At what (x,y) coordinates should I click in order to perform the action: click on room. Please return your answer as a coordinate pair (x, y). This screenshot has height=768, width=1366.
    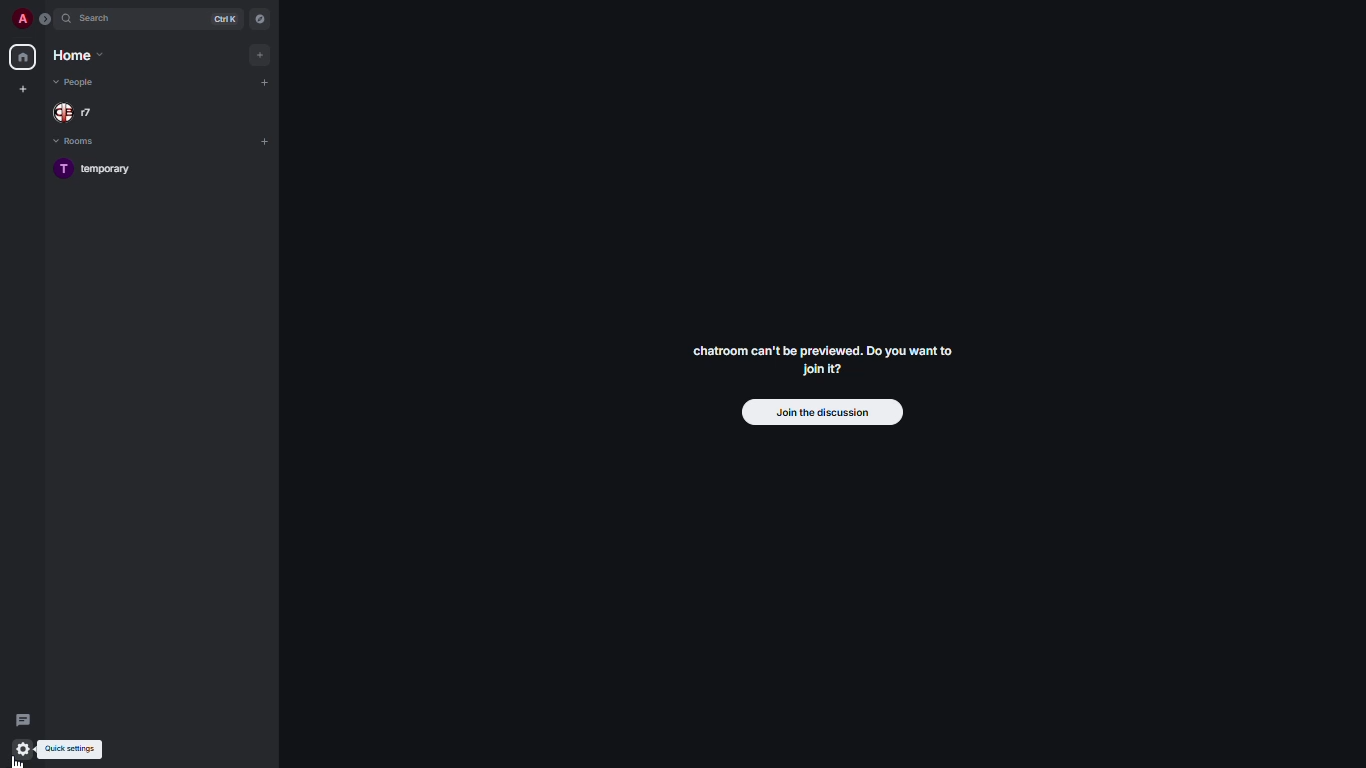
    Looking at the image, I should click on (106, 170).